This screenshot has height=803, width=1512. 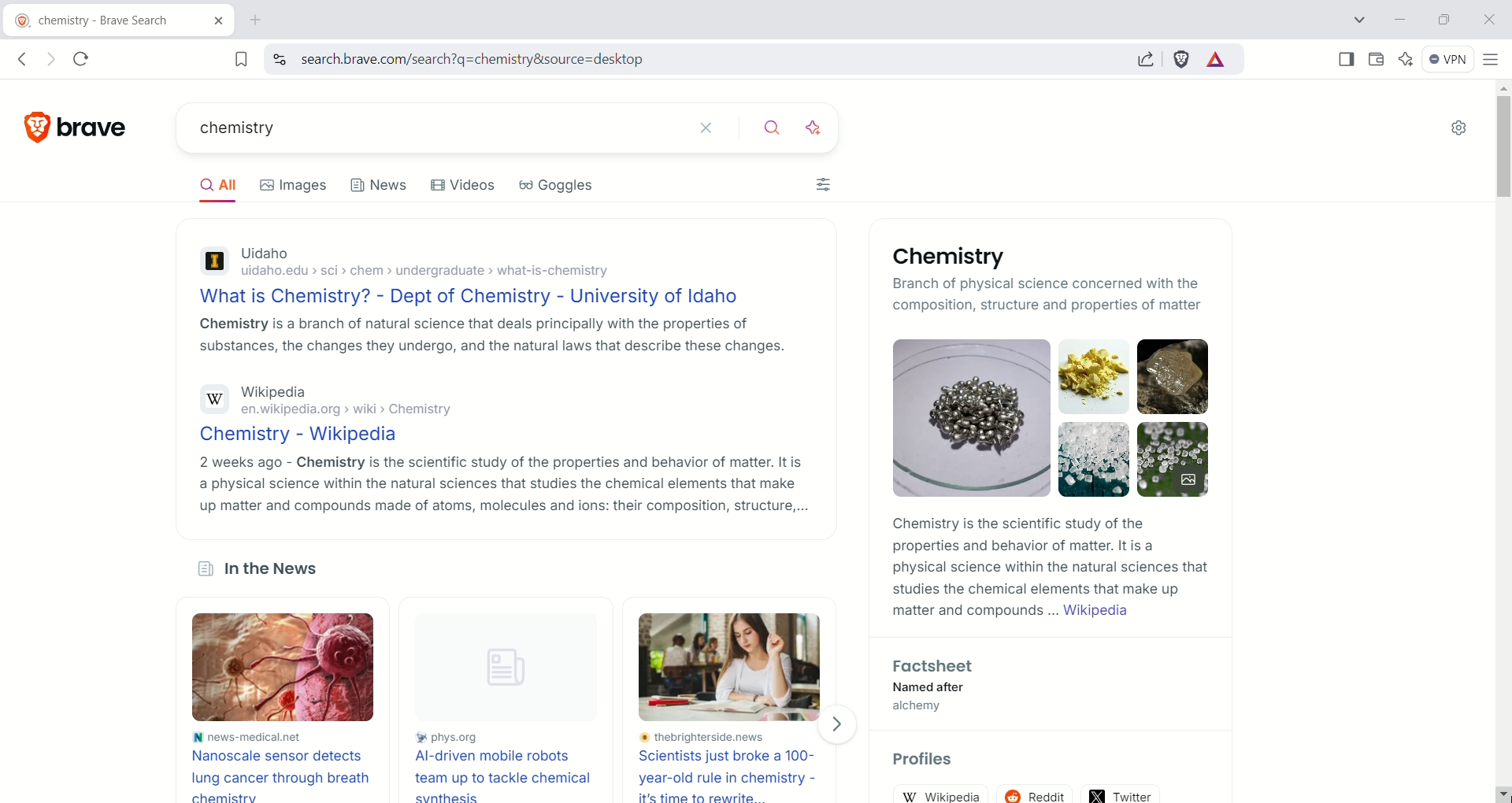 I want to click on wikipedia, so click(x=947, y=794).